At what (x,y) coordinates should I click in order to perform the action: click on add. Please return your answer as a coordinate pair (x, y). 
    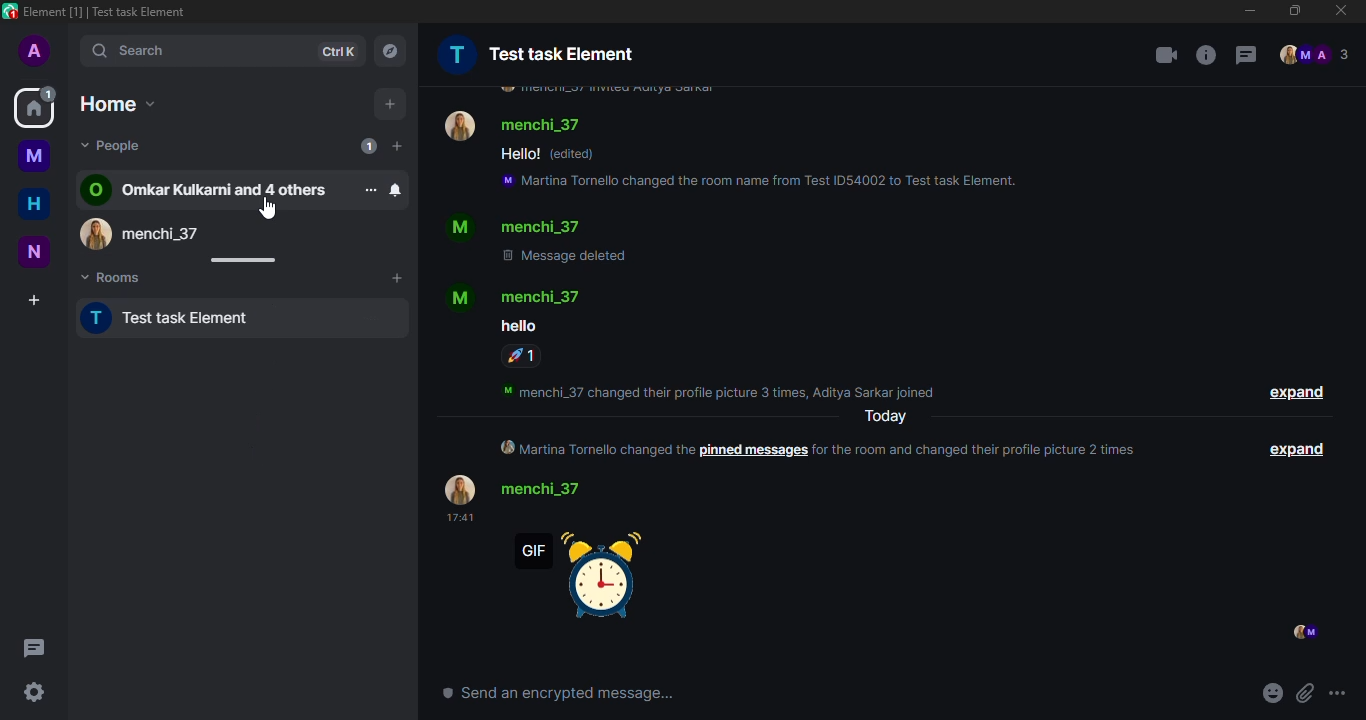
    Looking at the image, I should click on (390, 102).